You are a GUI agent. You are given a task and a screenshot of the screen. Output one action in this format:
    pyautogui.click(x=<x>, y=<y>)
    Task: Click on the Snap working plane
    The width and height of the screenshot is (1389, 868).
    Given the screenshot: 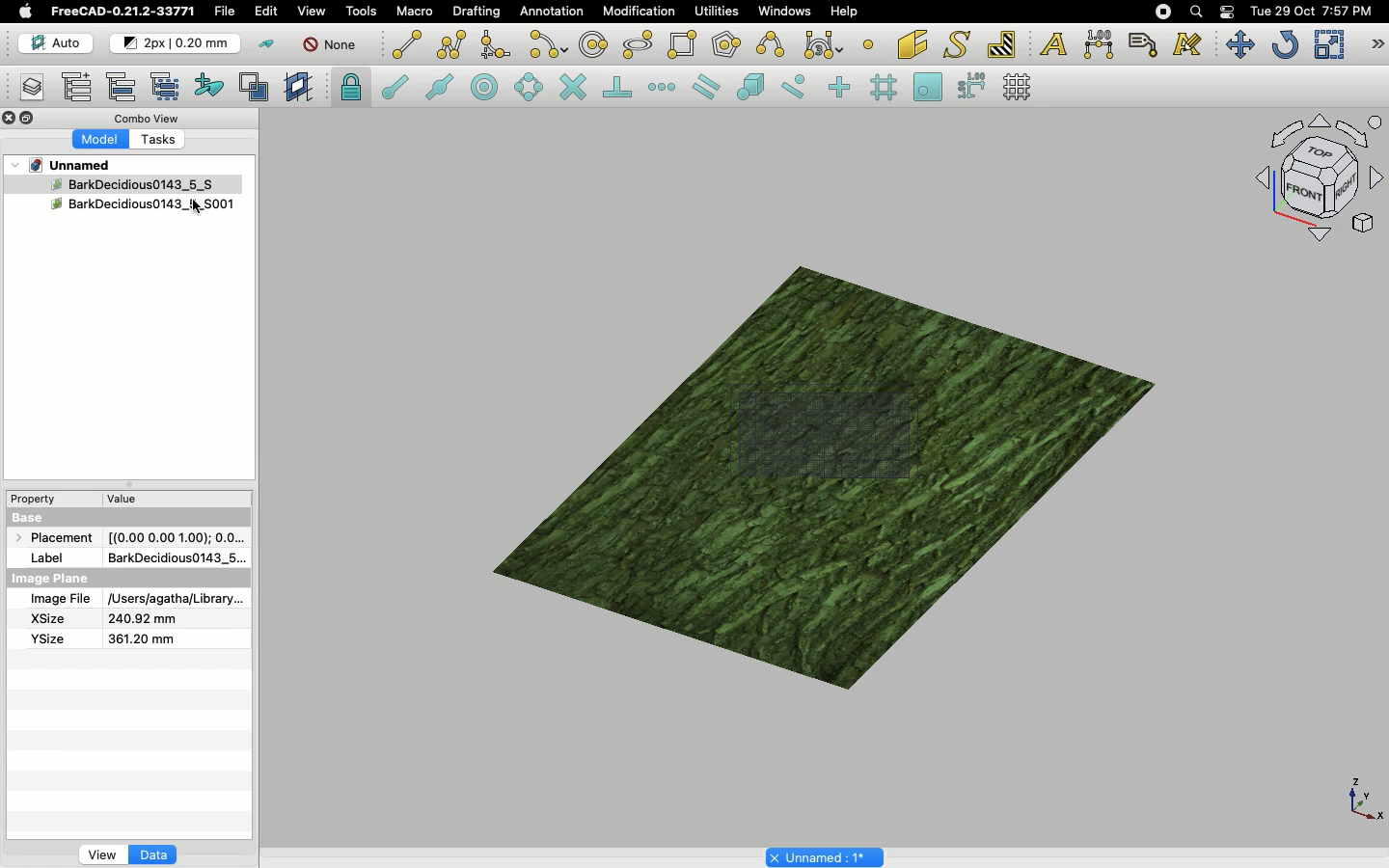 What is the action you would take?
    pyautogui.click(x=928, y=89)
    